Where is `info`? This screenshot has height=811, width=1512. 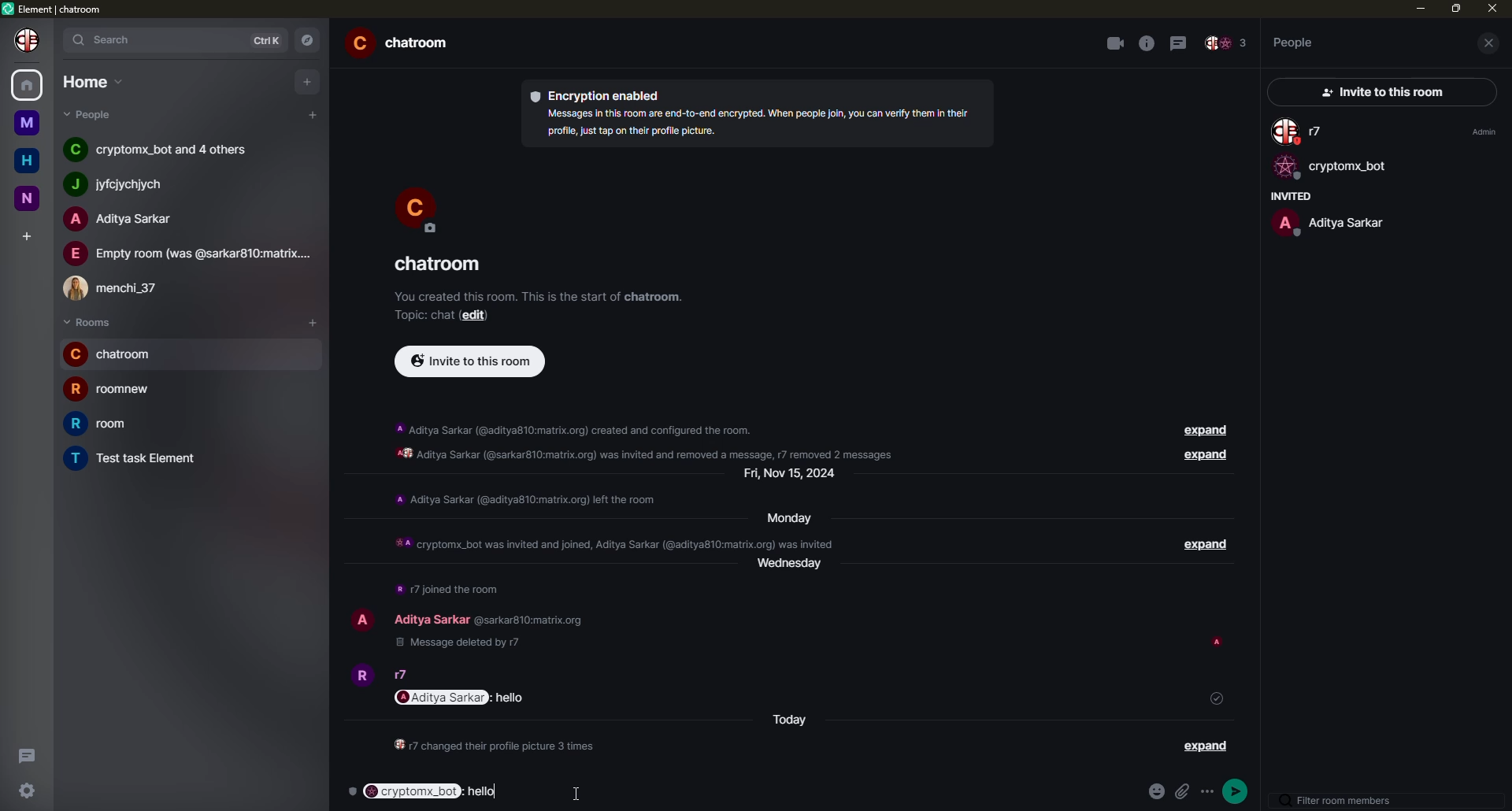
info is located at coordinates (613, 542).